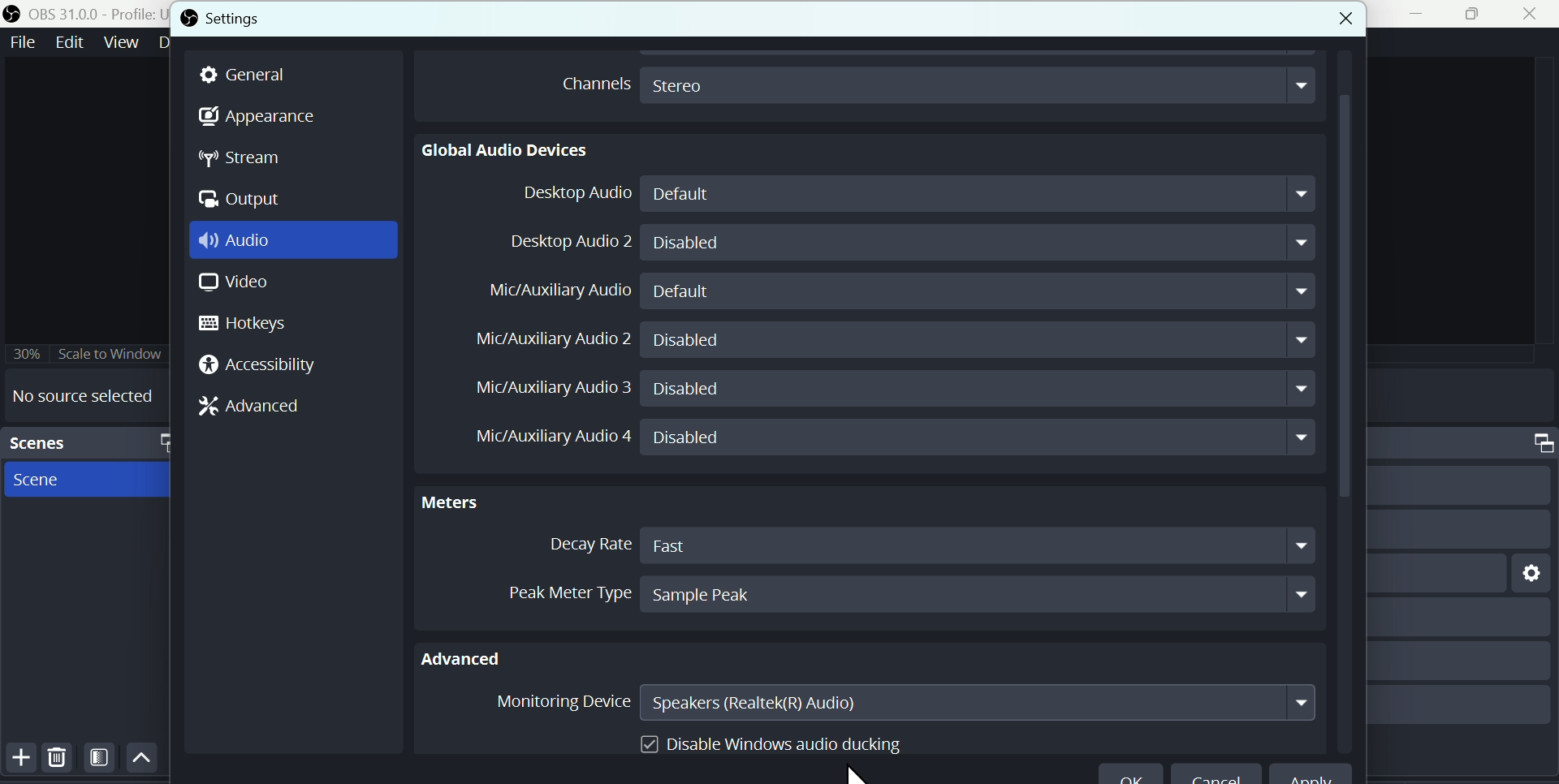  What do you see at coordinates (243, 200) in the screenshot?
I see `Output` at bounding box center [243, 200].